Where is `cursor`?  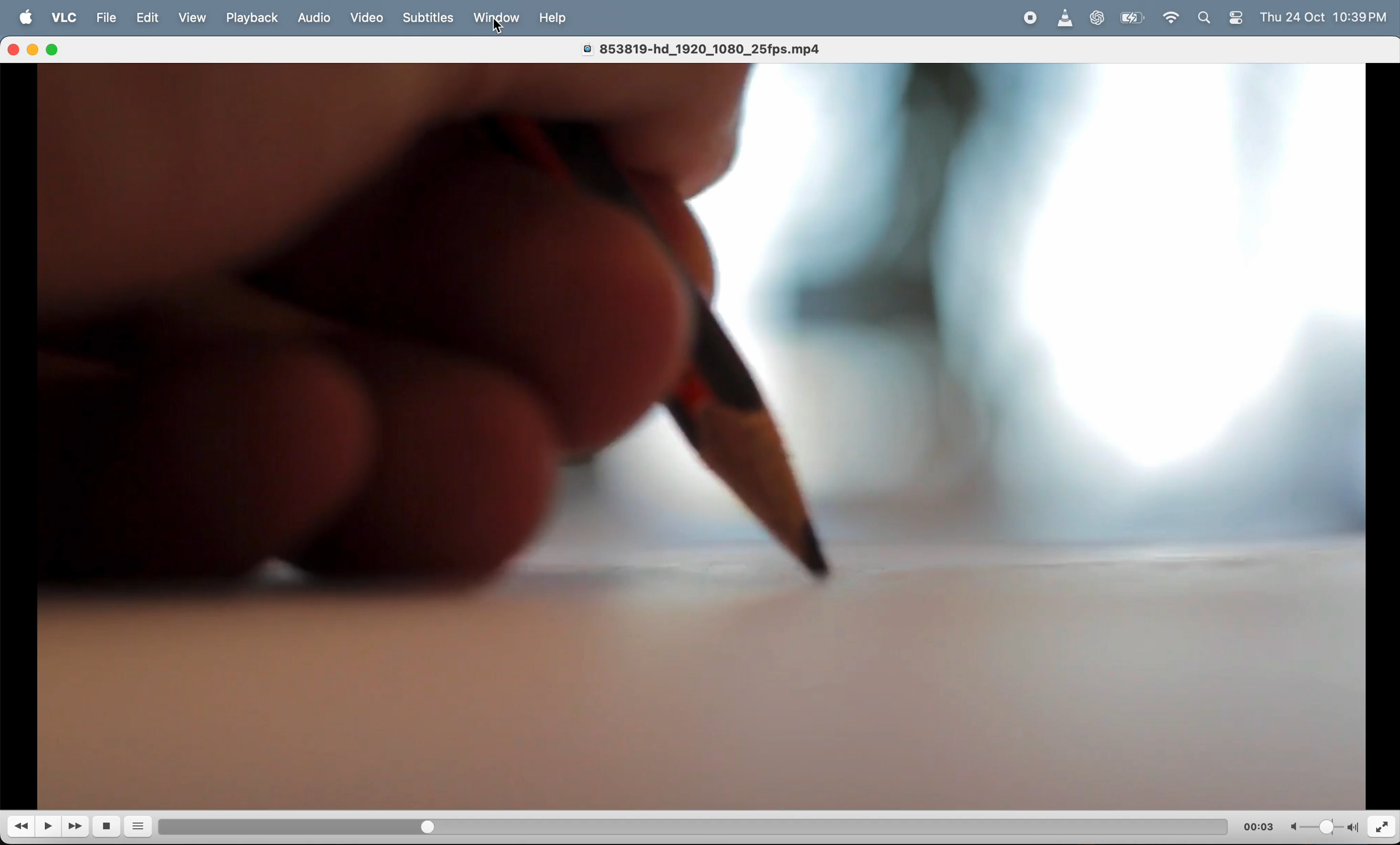 cursor is located at coordinates (504, 28).